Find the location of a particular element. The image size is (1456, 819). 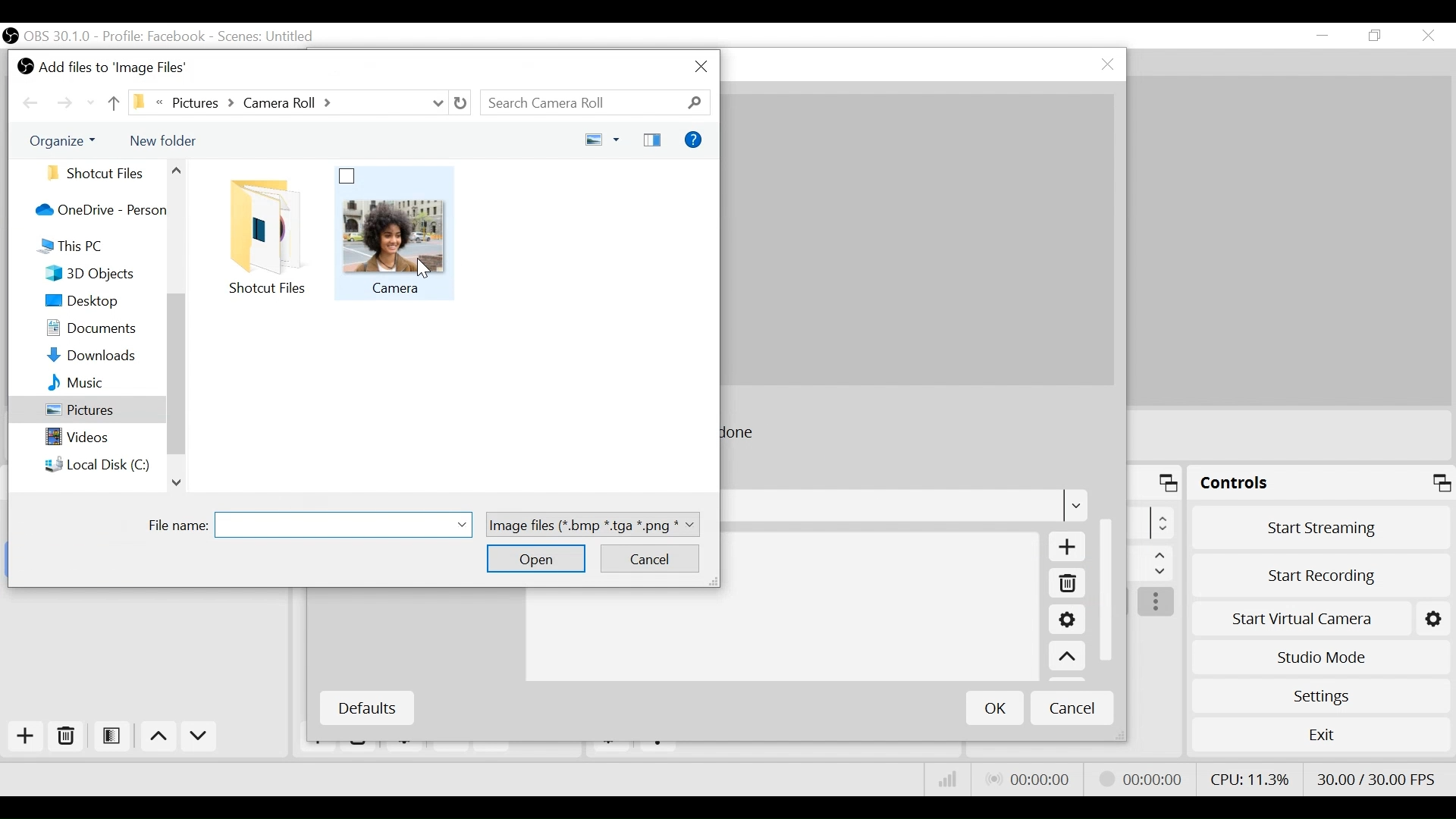

Start Streaming is located at coordinates (1322, 527).